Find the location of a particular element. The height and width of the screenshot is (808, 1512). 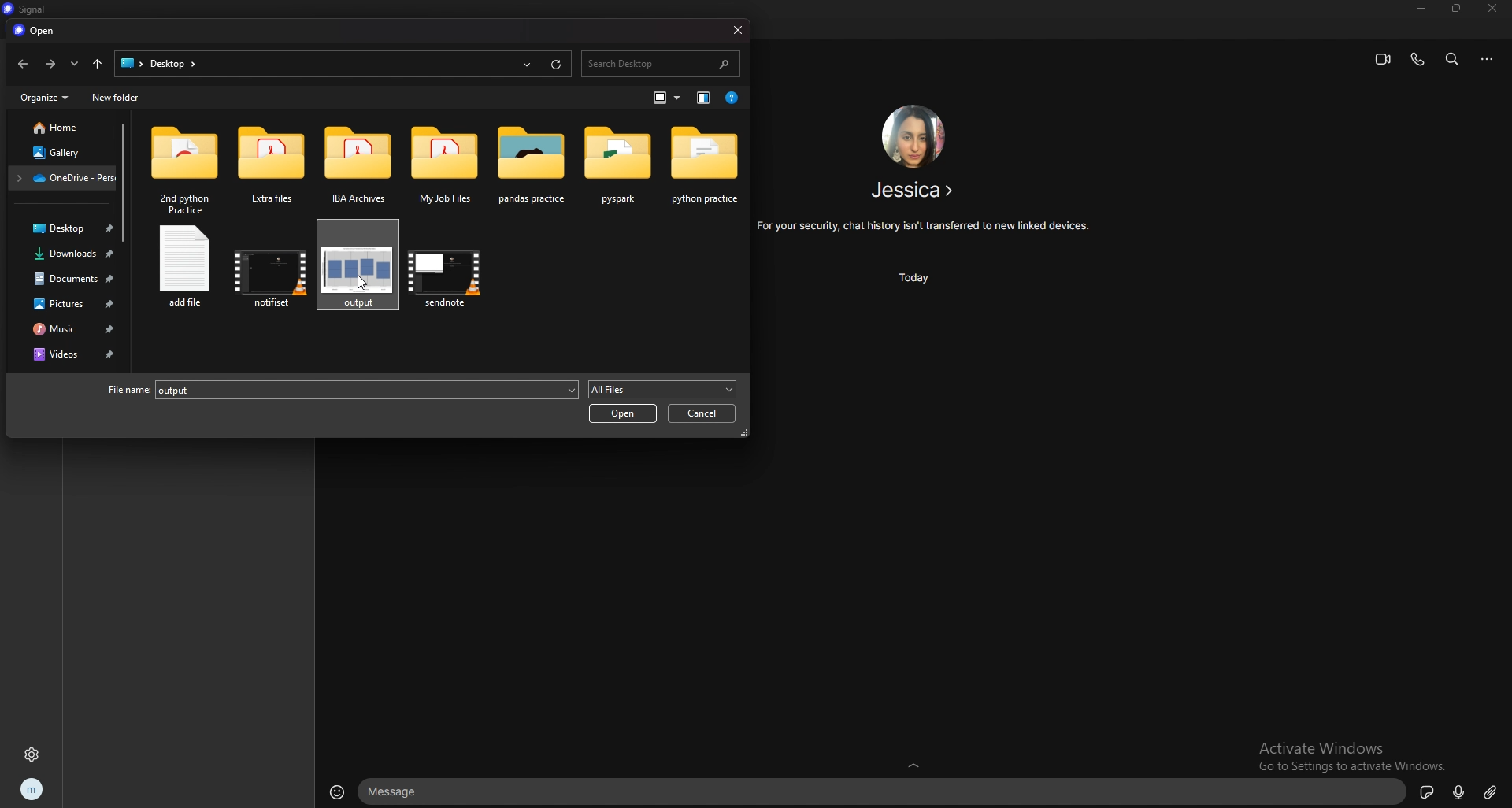

selected photo is located at coordinates (357, 266).